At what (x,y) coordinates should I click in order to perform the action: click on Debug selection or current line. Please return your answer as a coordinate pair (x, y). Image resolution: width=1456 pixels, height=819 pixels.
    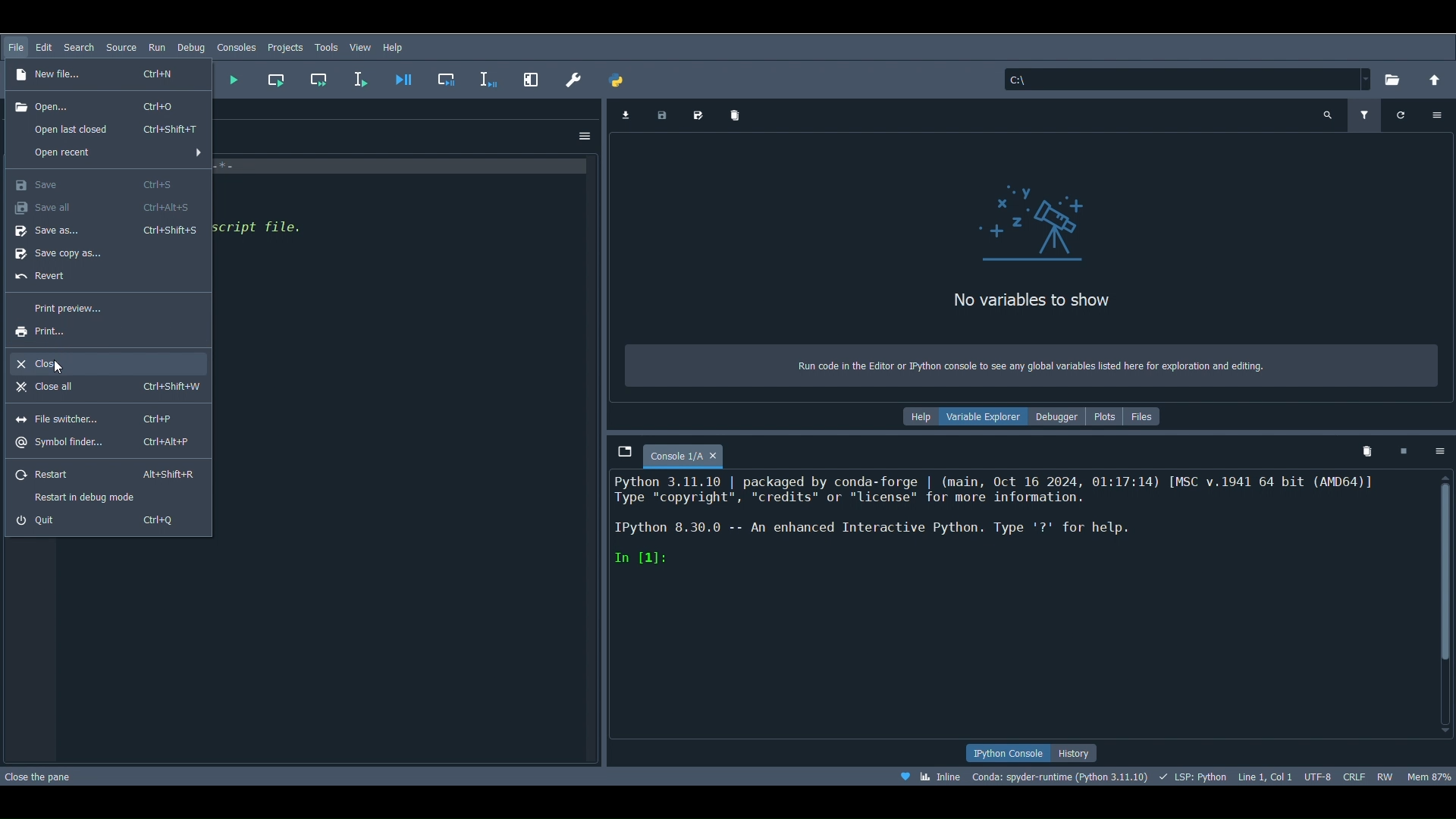
    Looking at the image, I should click on (491, 77).